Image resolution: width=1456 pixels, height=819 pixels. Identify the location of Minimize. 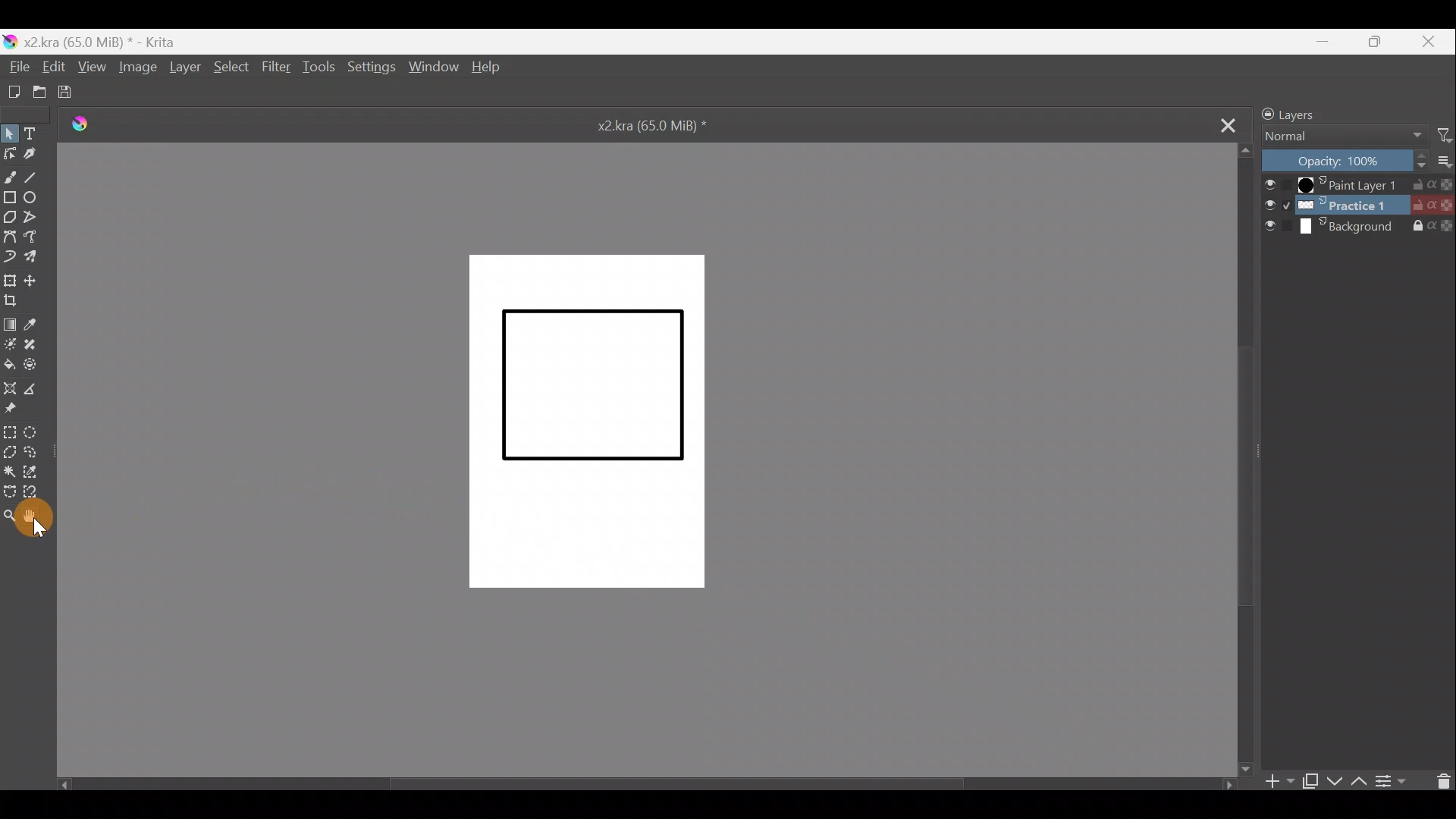
(1323, 41).